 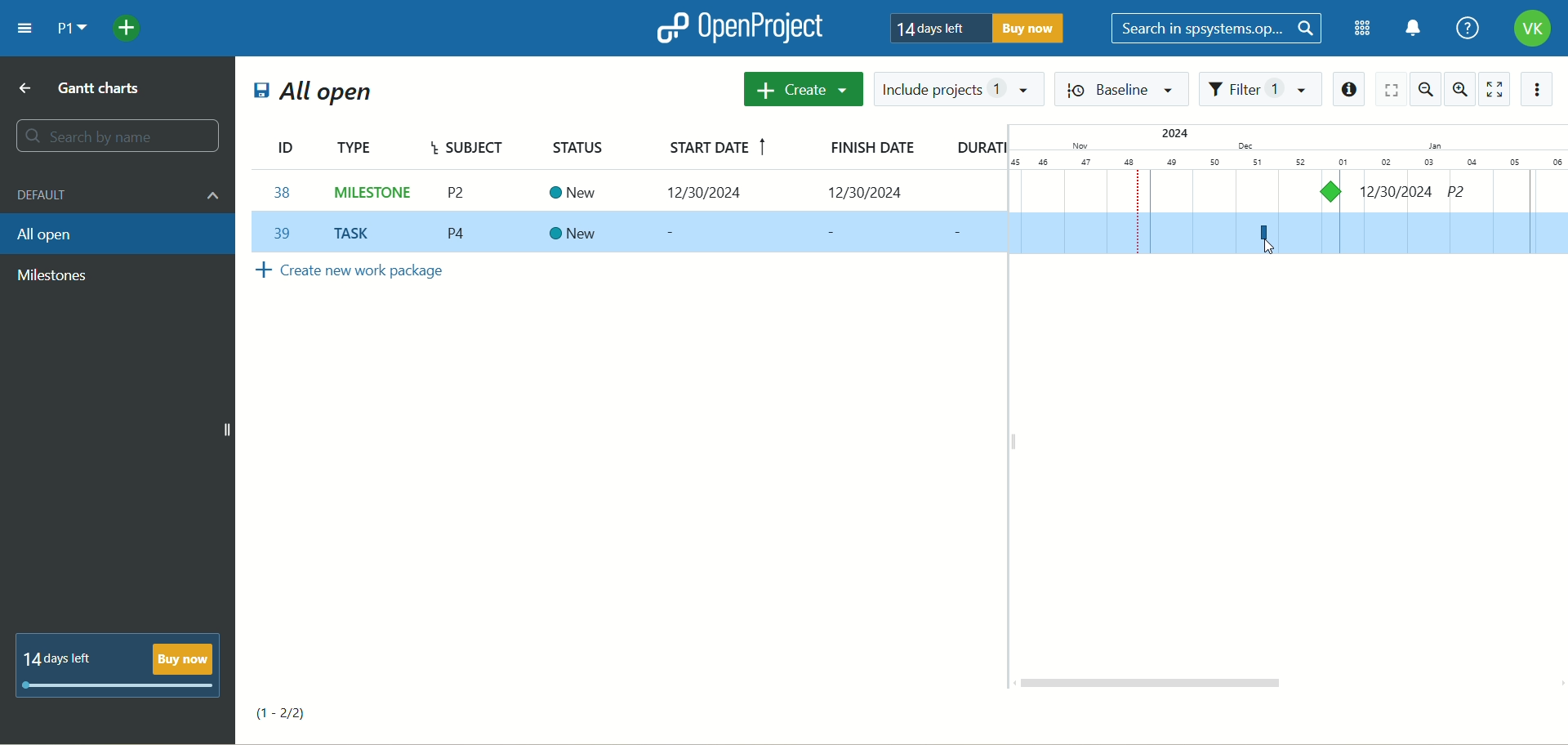 What do you see at coordinates (680, 234) in the screenshot?
I see `-` at bounding box center [680, 234].